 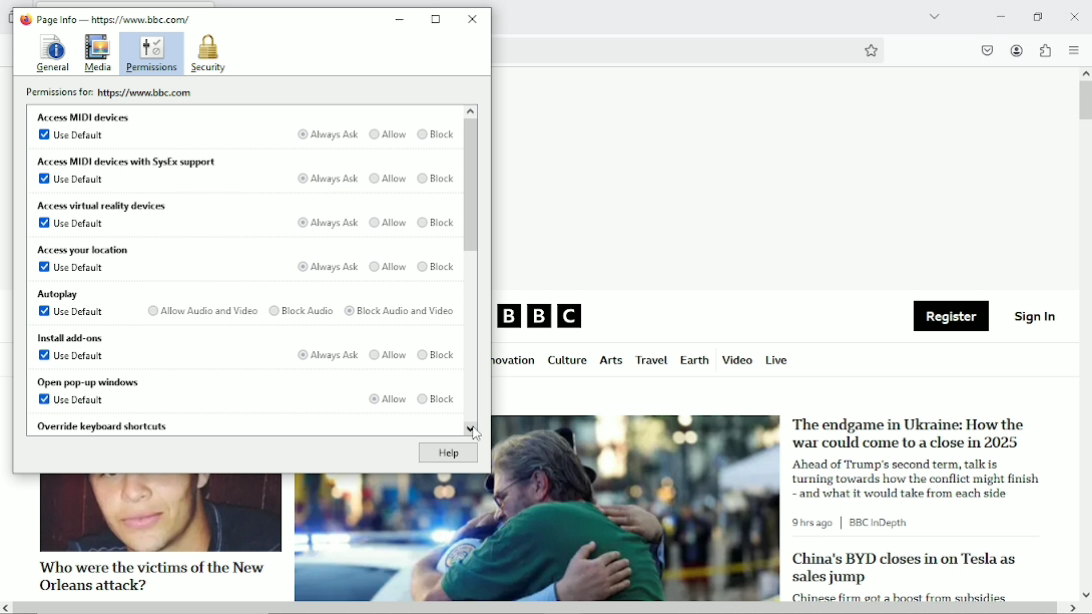 I want to click on Allow, so click(x=388, y=134).